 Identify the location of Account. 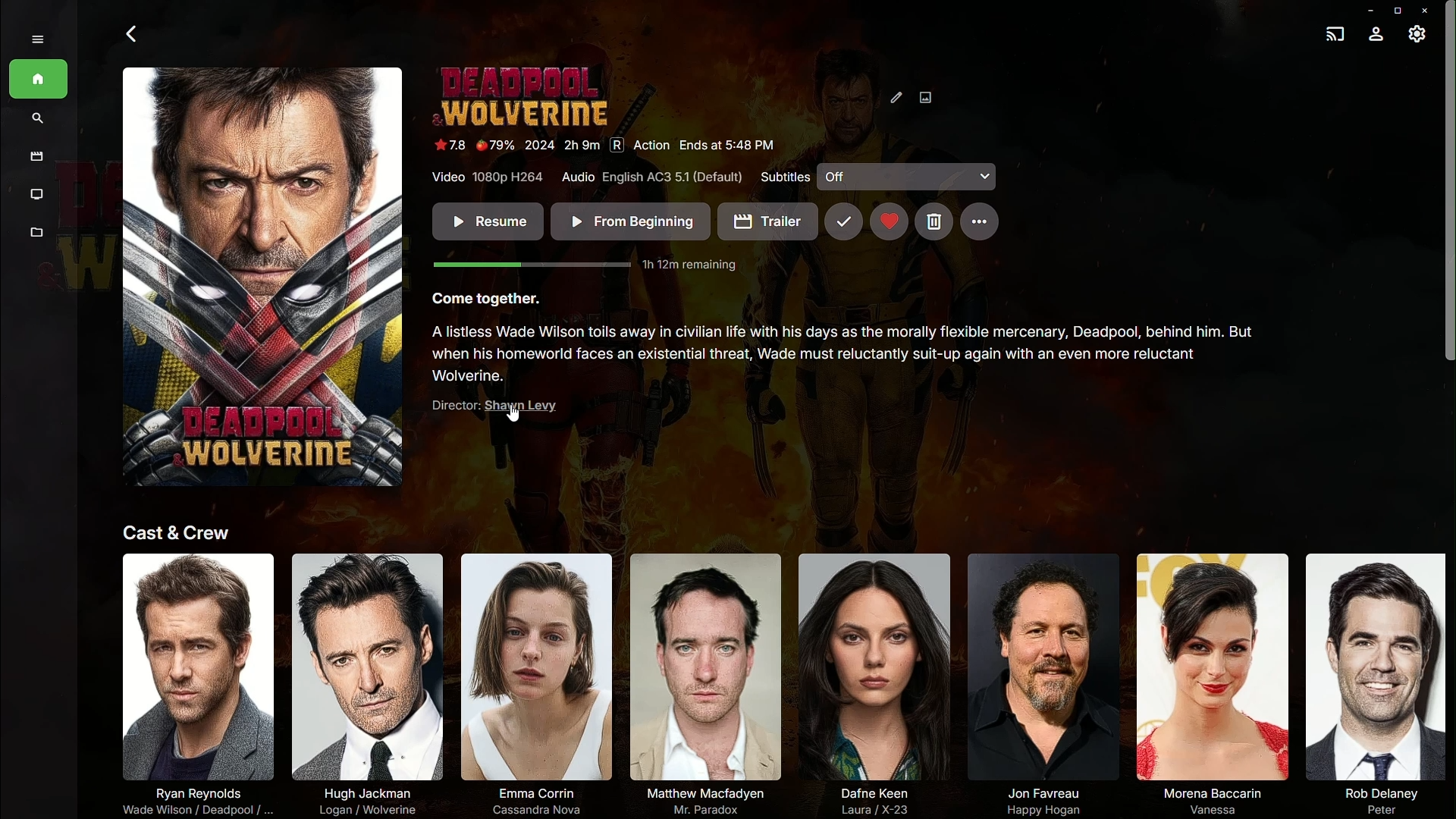
(1377, 34).